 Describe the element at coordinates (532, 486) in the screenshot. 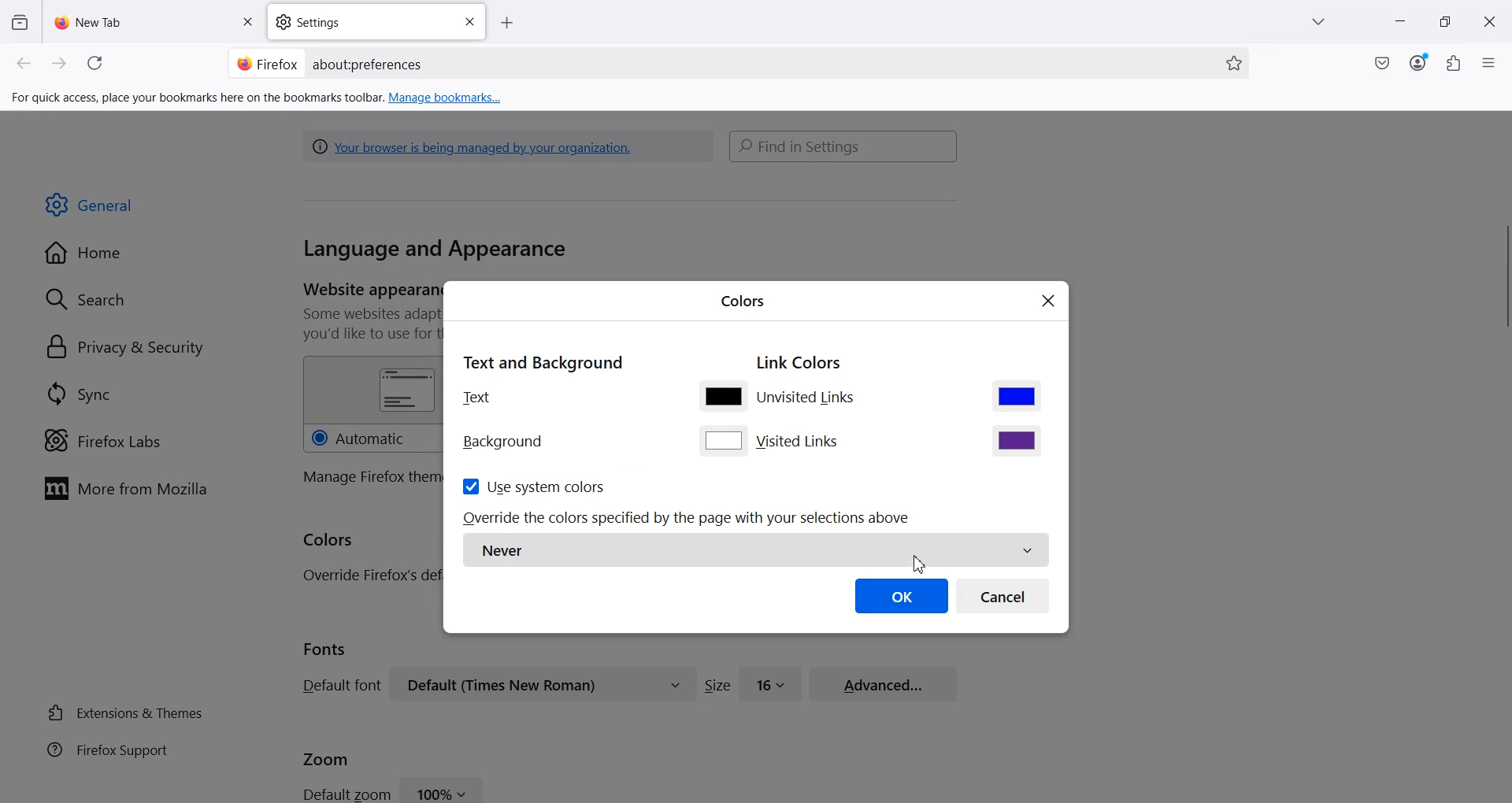

I see `Use system colors` at that location.